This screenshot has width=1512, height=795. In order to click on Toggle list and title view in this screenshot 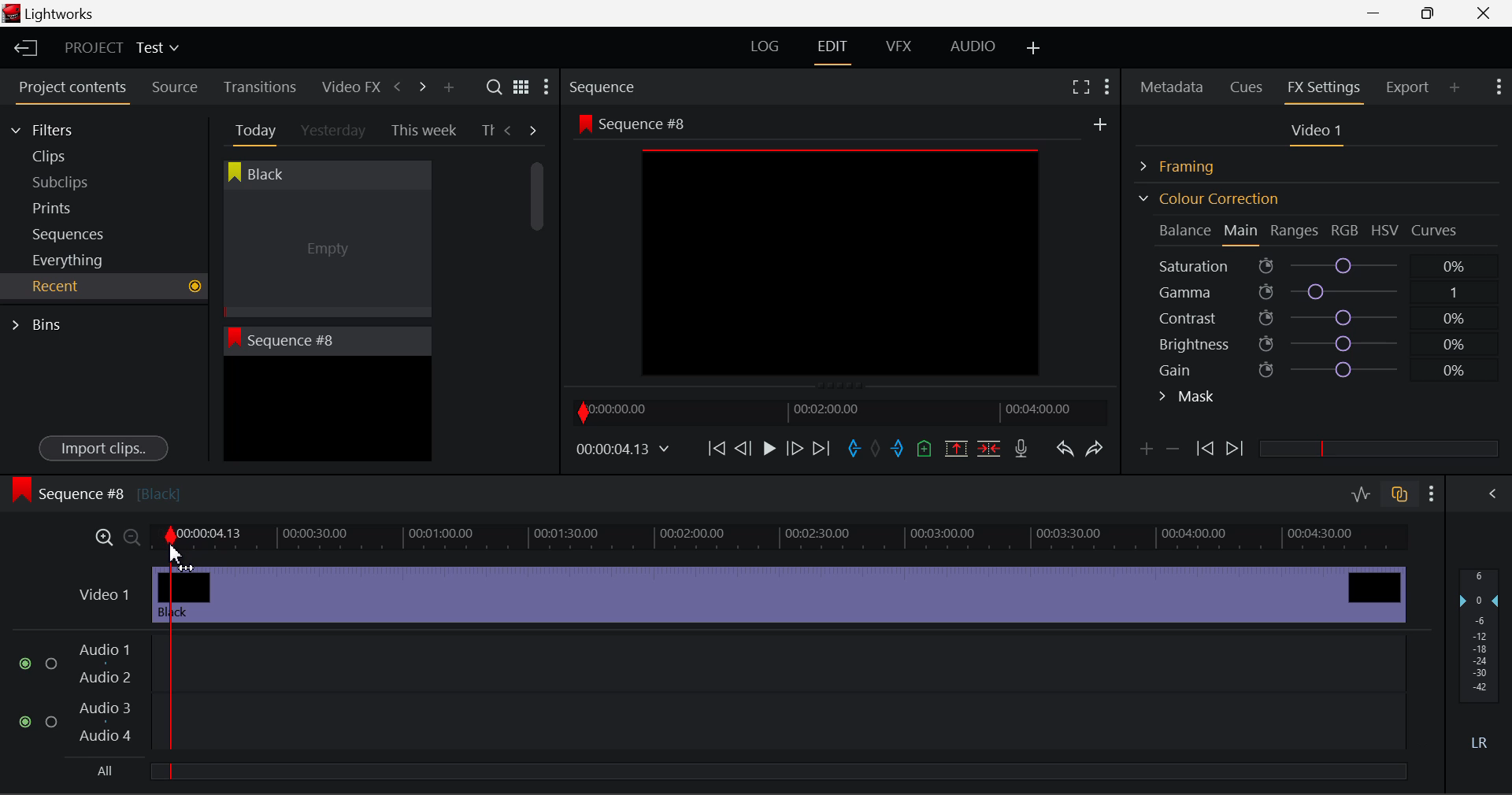, I will do `click(521, 87)`.